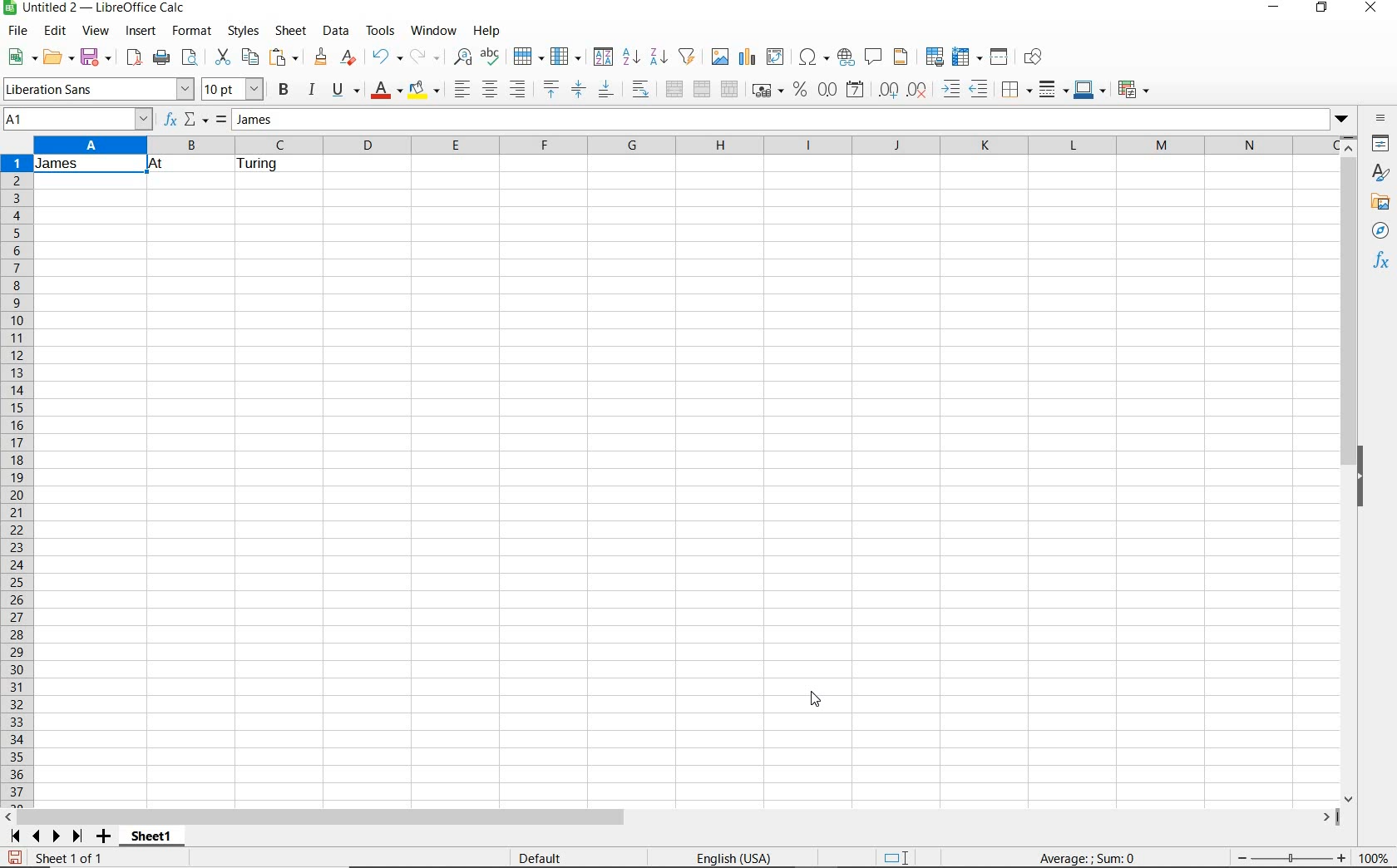  What do you see at coordinates (1380, 120) in the screenshot?
I see `sidebar settings` at bounding box center [1380, 120].